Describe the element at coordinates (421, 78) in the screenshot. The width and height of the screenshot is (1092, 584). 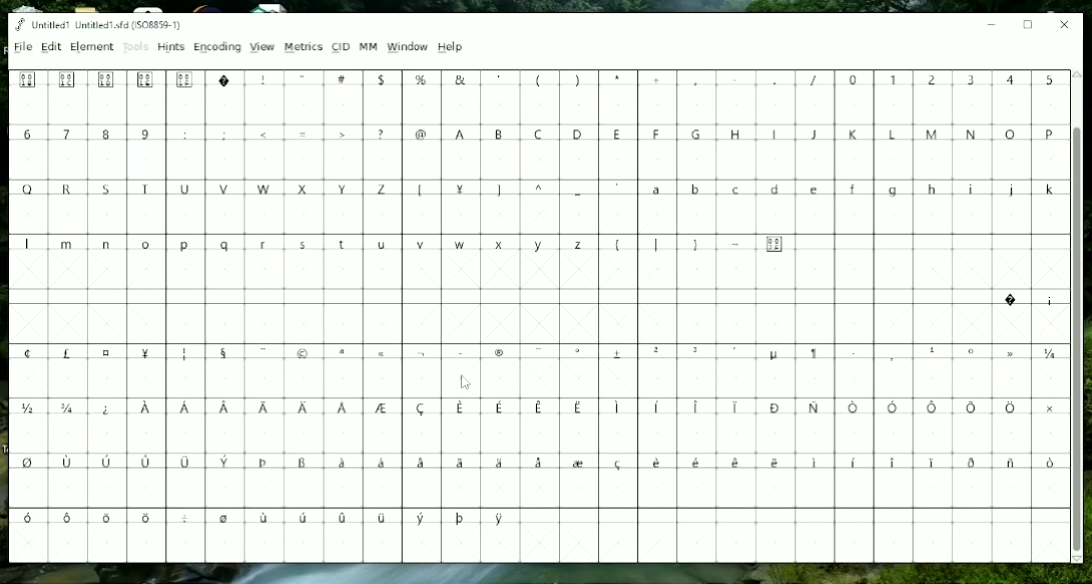
I see `Symbols` at that location.